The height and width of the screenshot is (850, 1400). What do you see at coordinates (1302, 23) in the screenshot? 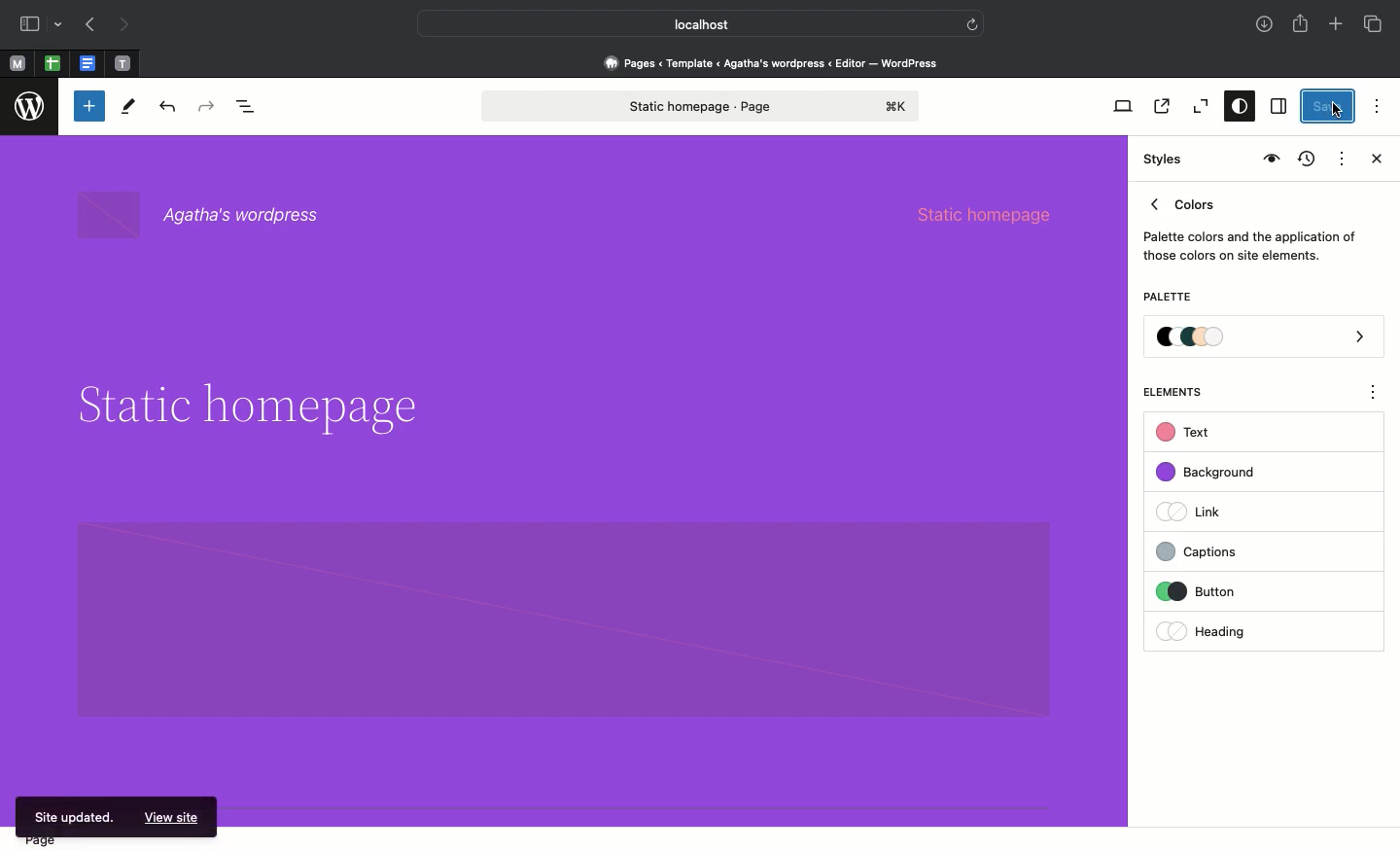
I see `Share` at bounding box center [1302, 23].